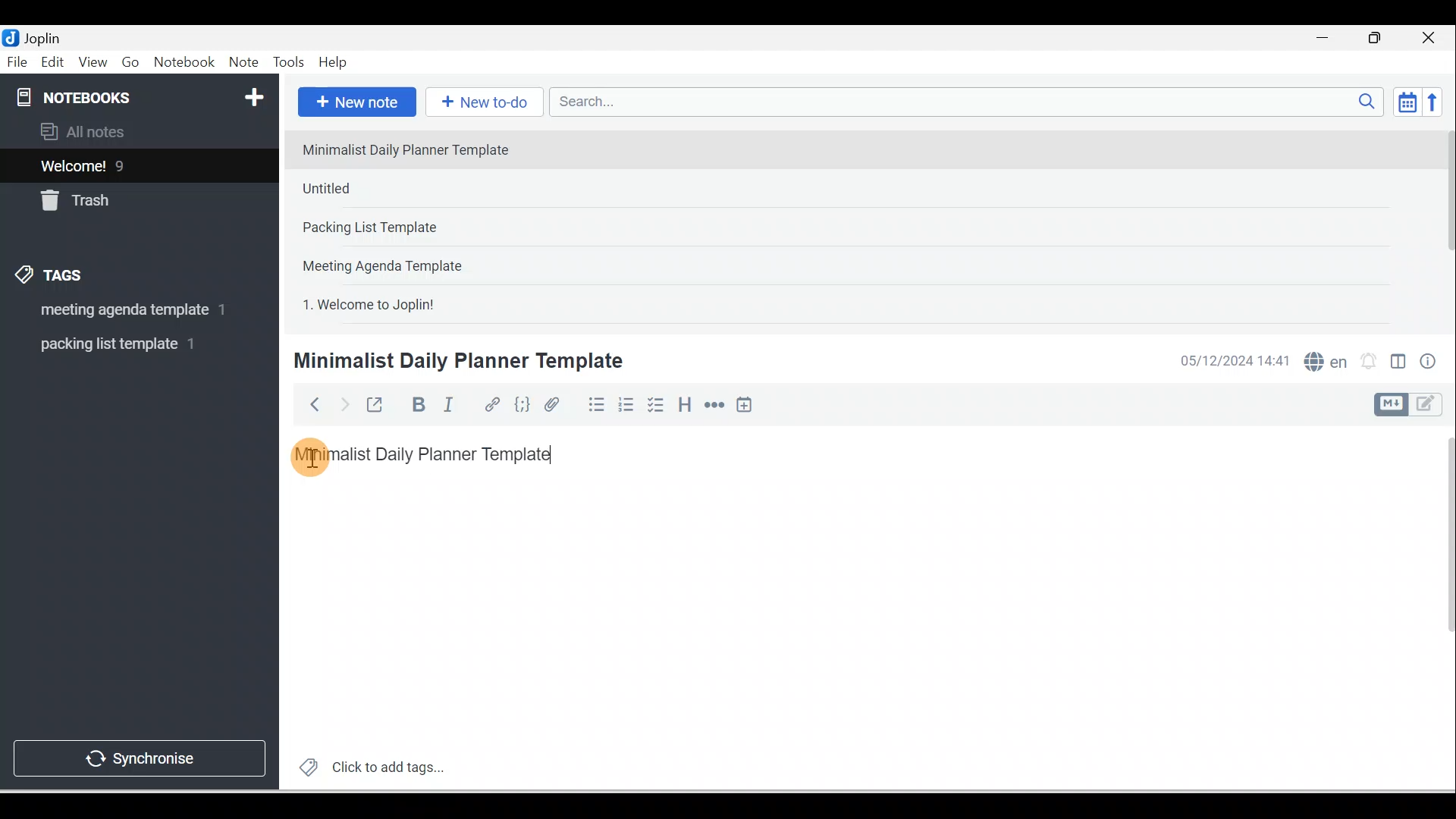 This screenshot has height=819, width=1456. Describe the element at coordinates (46, 36) in the screenshot. I see `Joplin` at that location.